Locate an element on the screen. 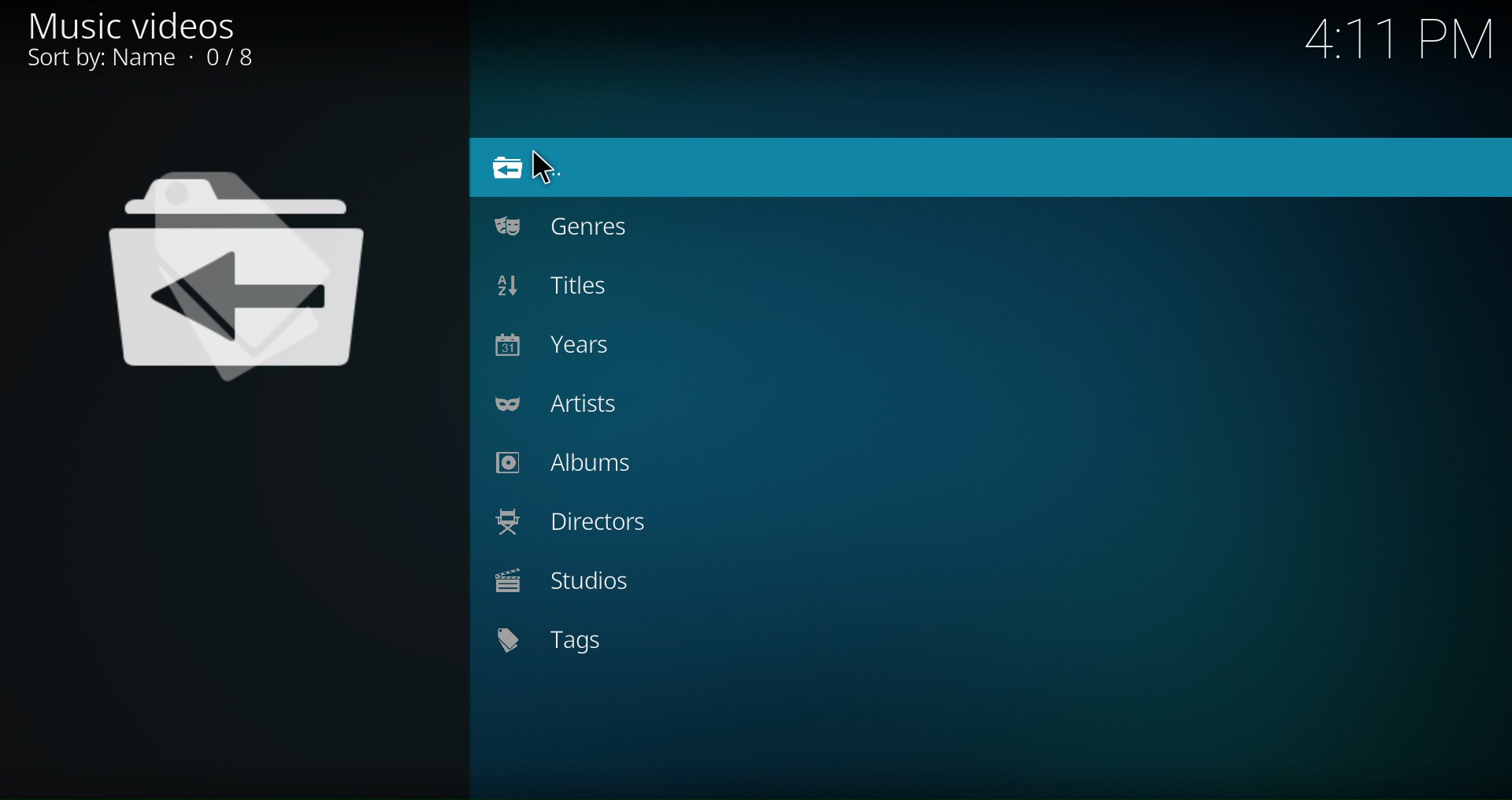 The width and height of the screenshot is (1512, 800). Tags is located at coordinates (611, 640).